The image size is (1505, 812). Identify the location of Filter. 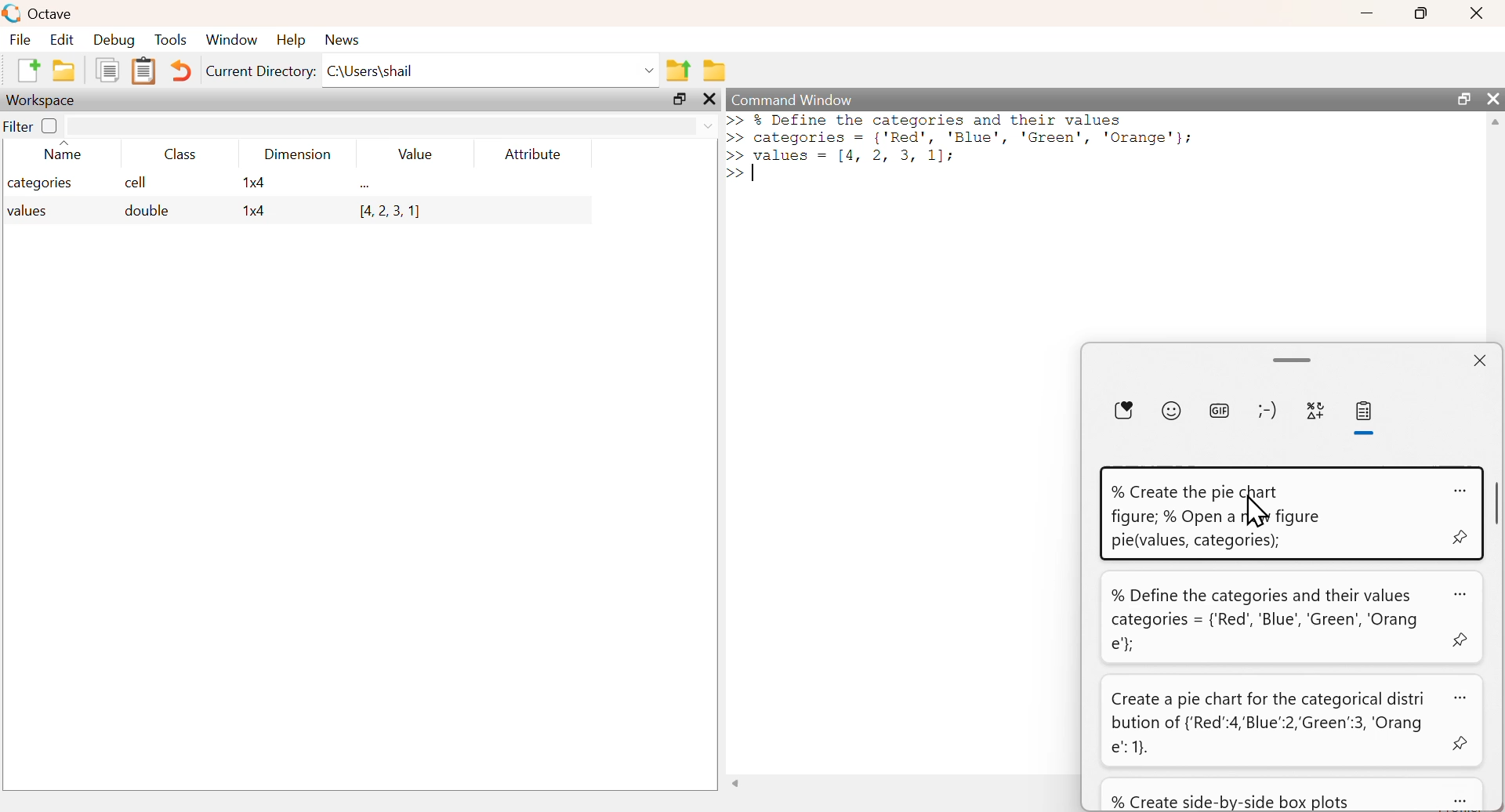
(33, 125).